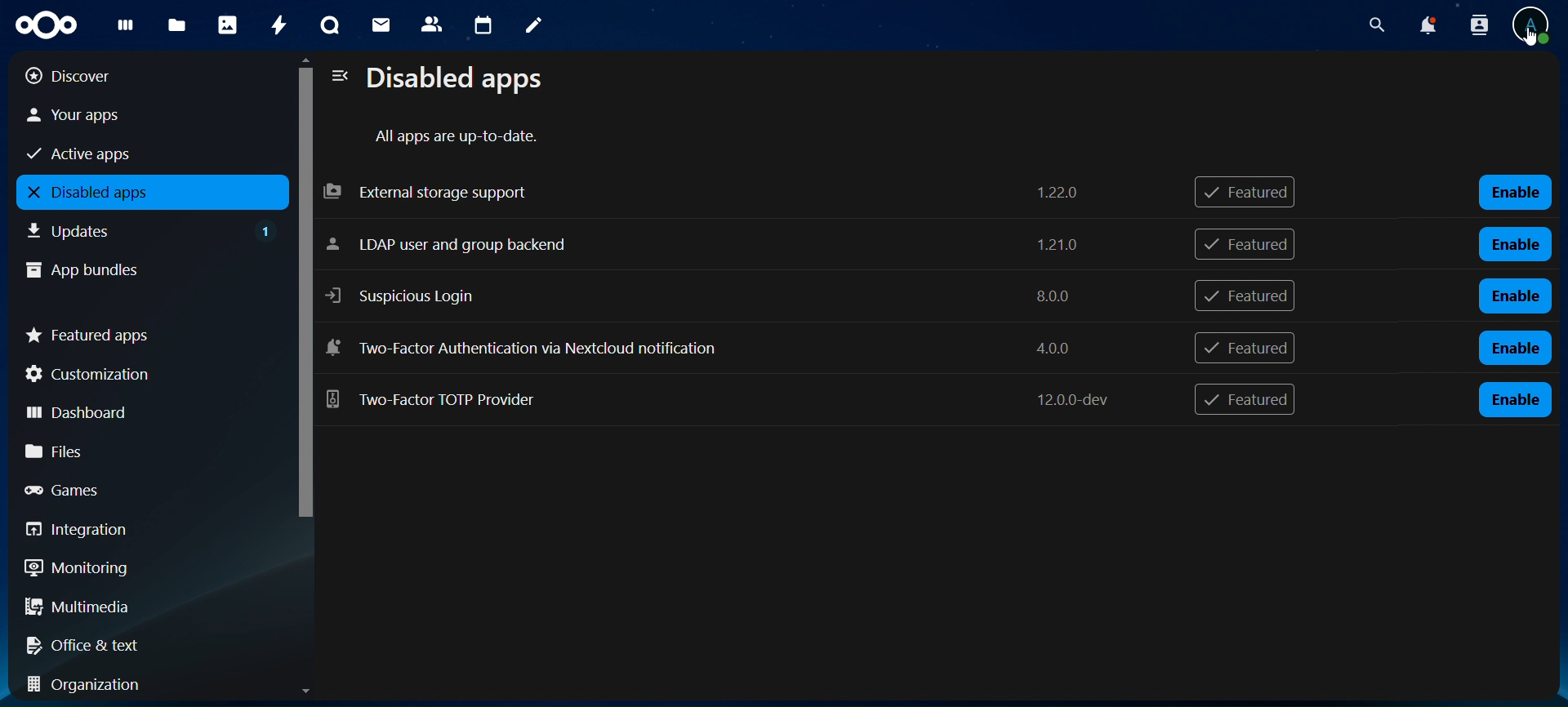 The image size is (1568, 707). What do you see at coordinates (278, 24) in the screenshot?
I see `activity` at bounding box center [278, 24].